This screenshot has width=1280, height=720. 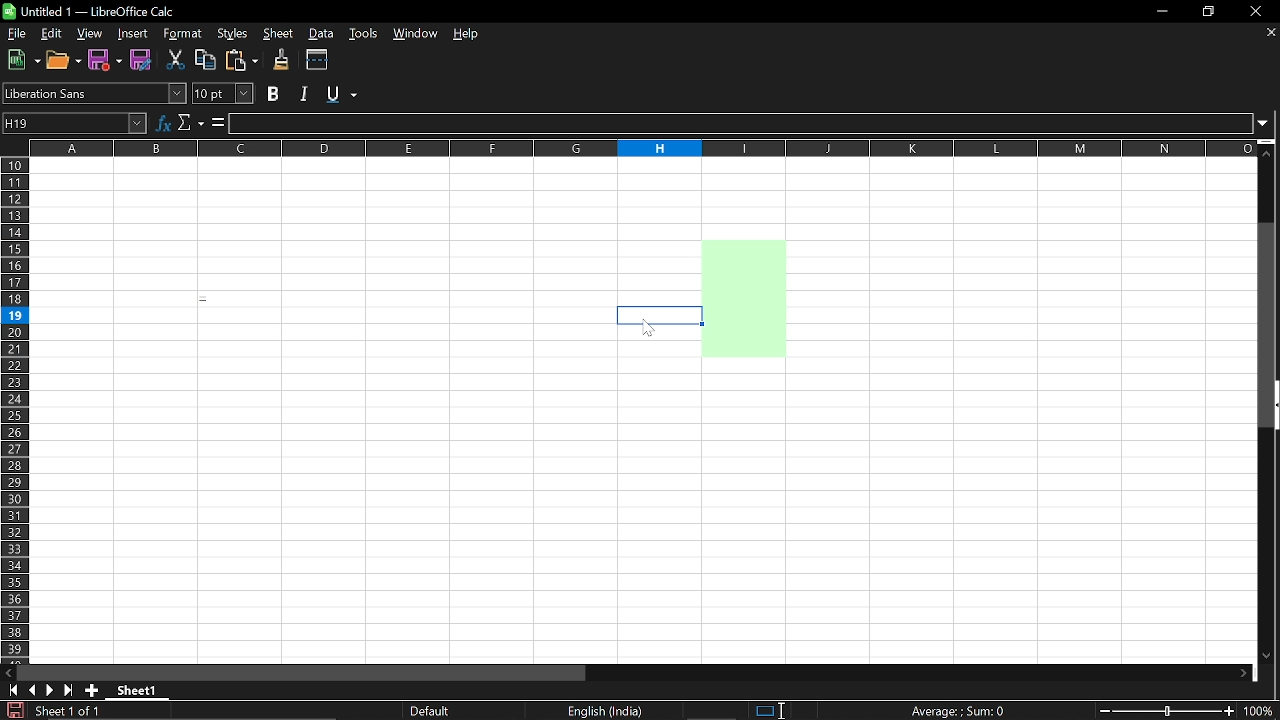 What do you see at coordinates (1269, 152) in the screenshot?
I see `Move up` at bounding box center [1269, 152].